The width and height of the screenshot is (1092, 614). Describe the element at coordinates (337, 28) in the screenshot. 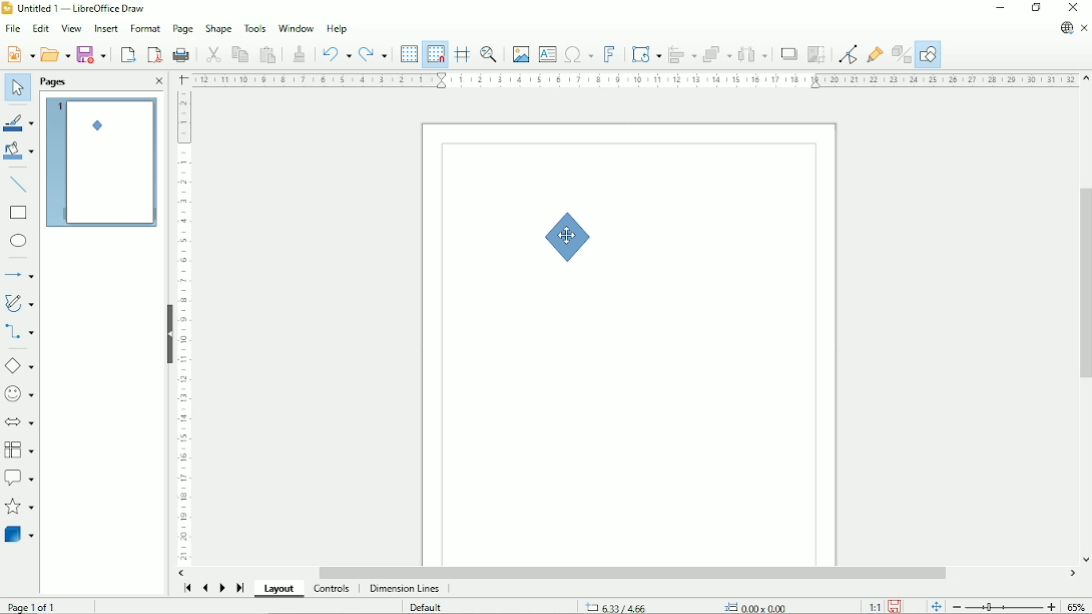

I see `Help` at that location.